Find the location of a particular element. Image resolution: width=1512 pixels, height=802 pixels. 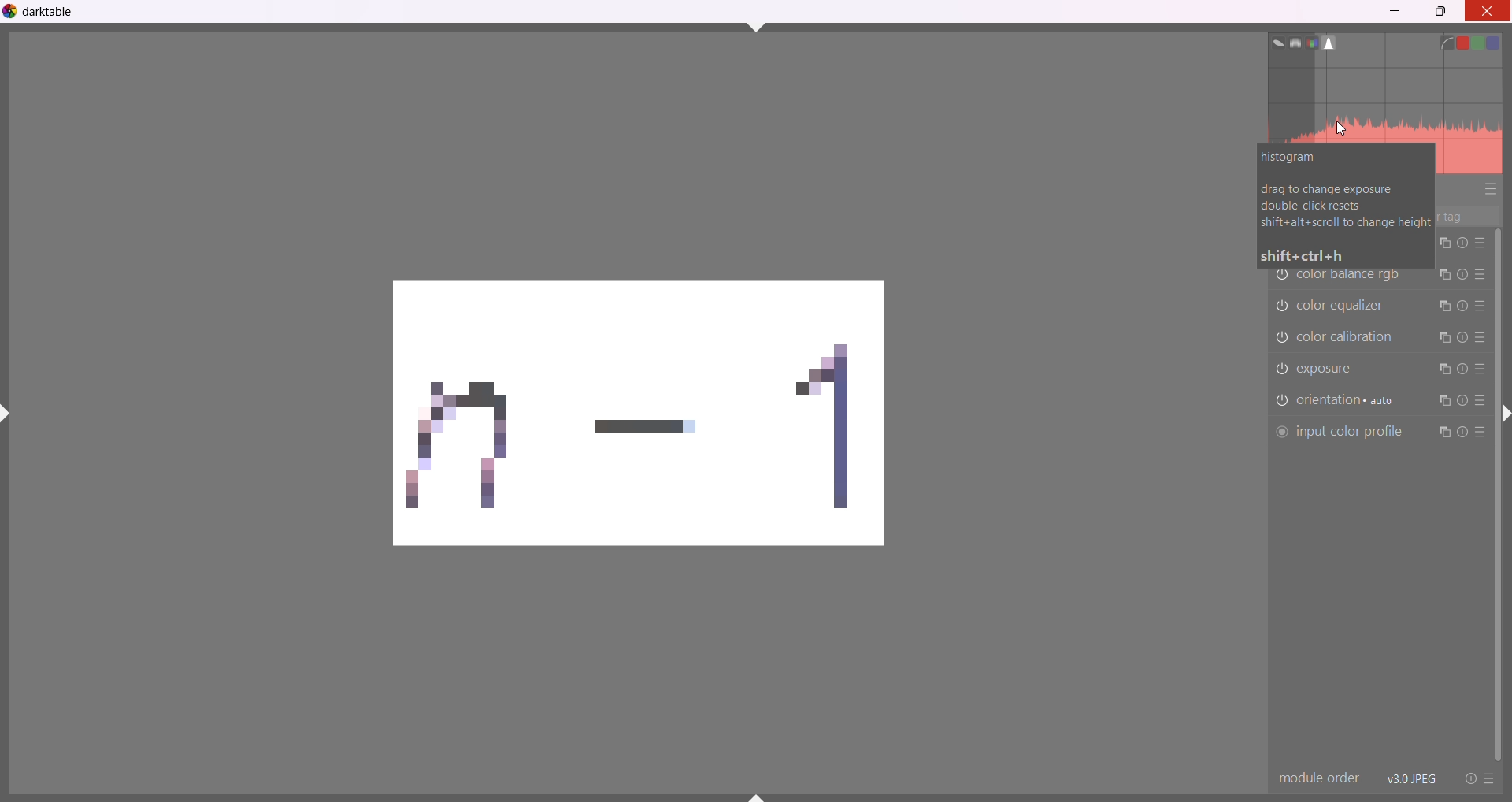

instance is located at coordinates (1442, 433).